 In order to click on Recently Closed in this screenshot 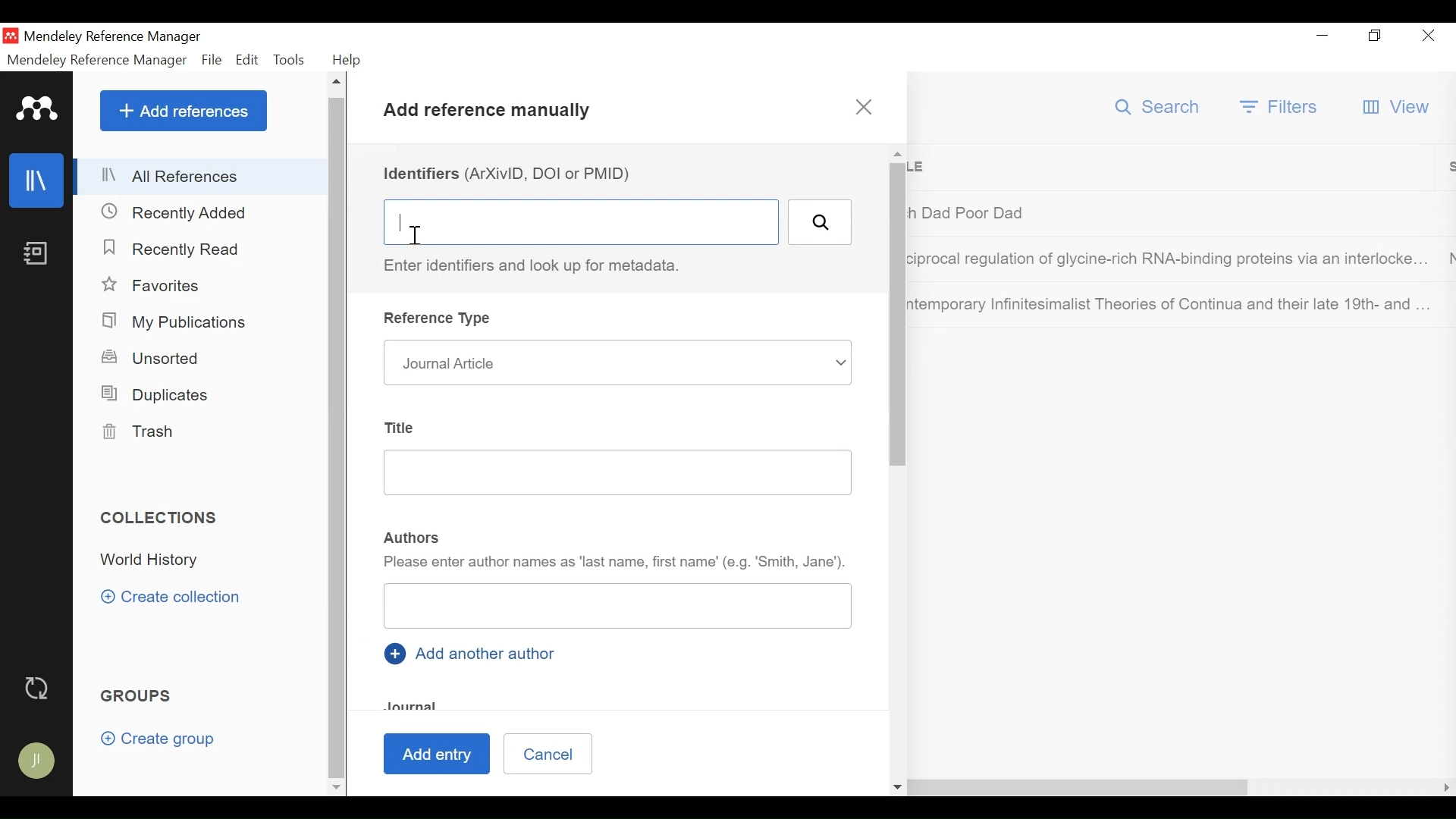, I will do `click(175, 213)`.